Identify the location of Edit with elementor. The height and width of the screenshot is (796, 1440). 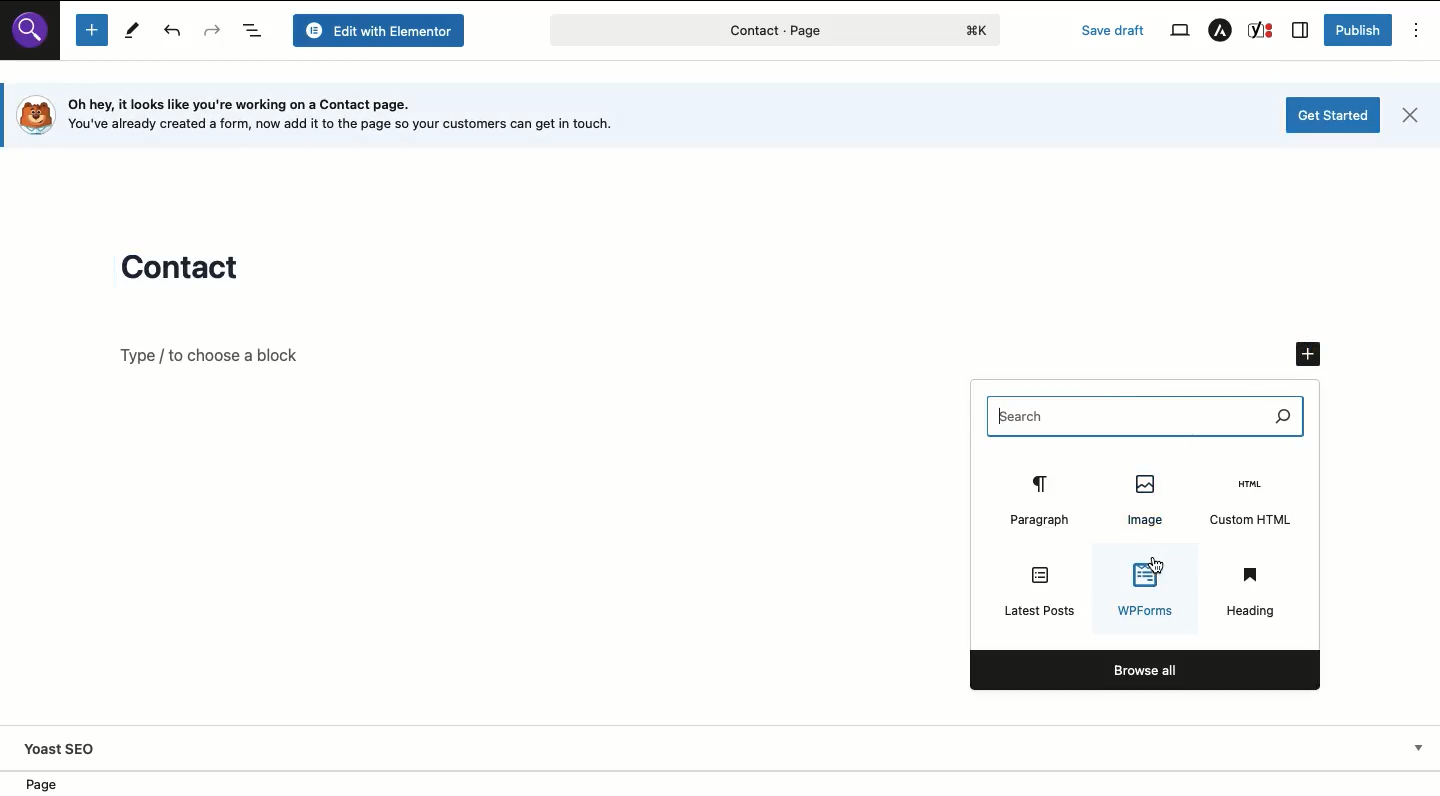
(382, 30).